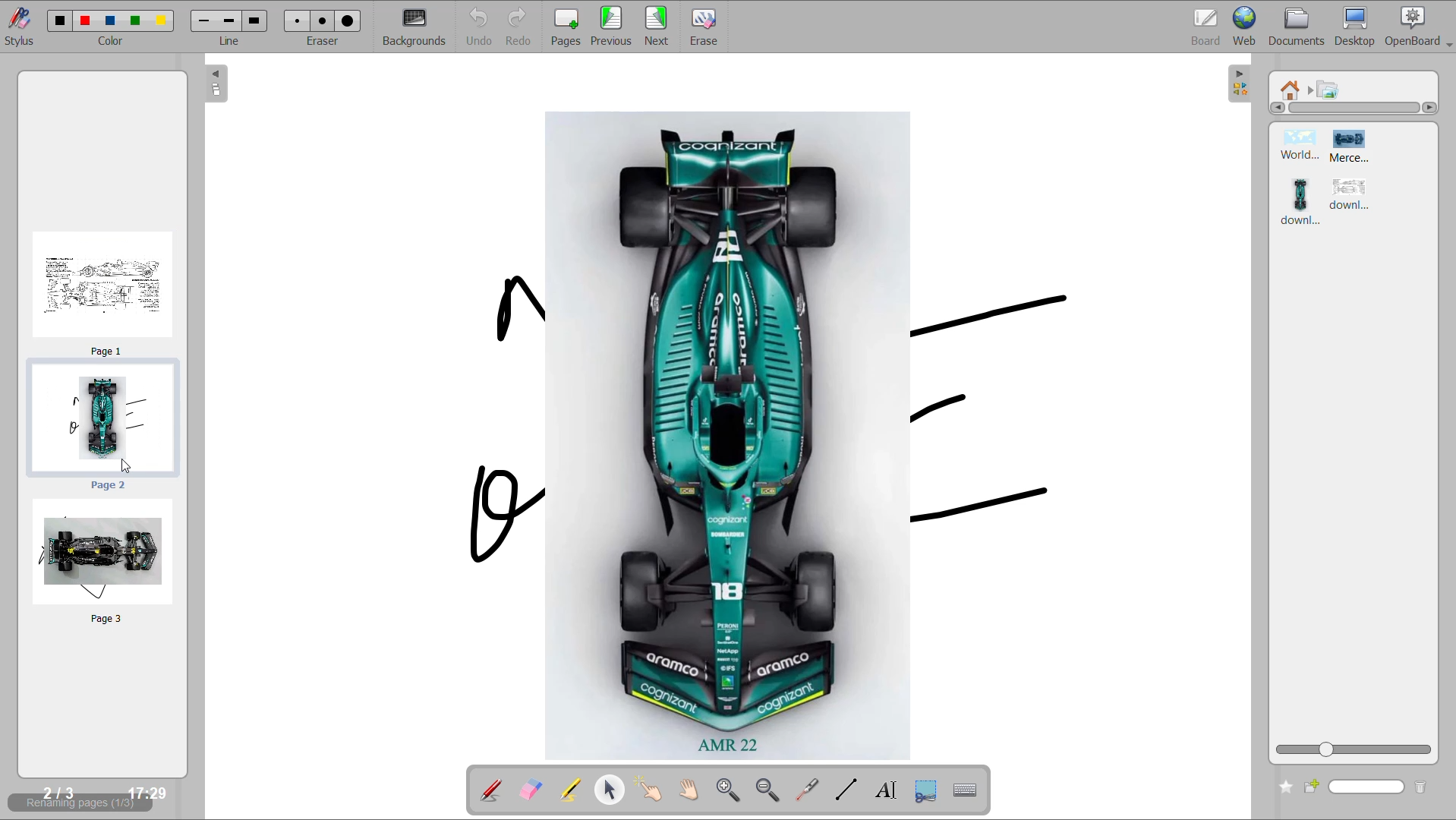 The height and width of the screenshot is (820, 1456). I want to click on image 2, so click(1360, 147).